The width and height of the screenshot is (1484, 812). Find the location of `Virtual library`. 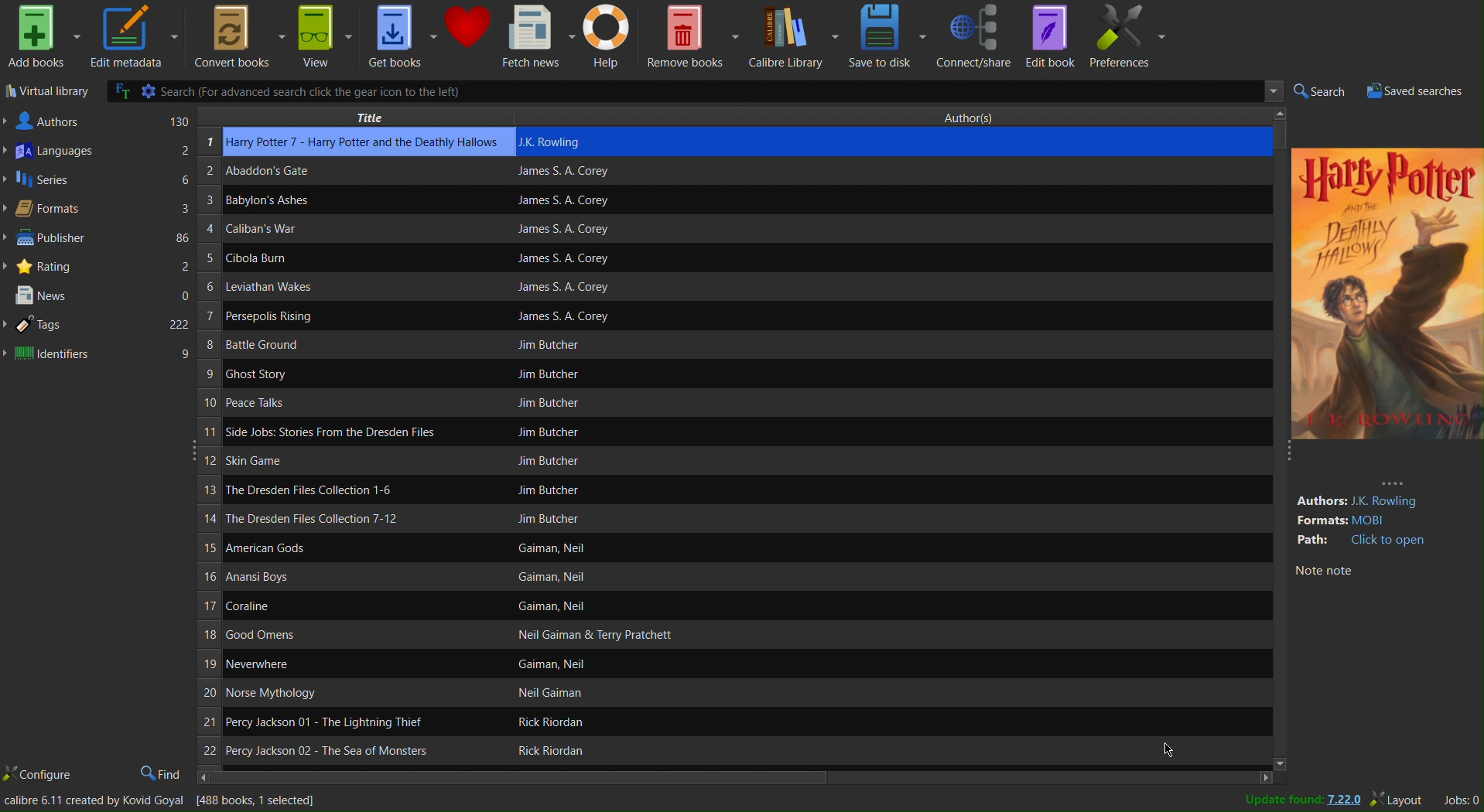

Virtual library is located at coordinates (43, 91).